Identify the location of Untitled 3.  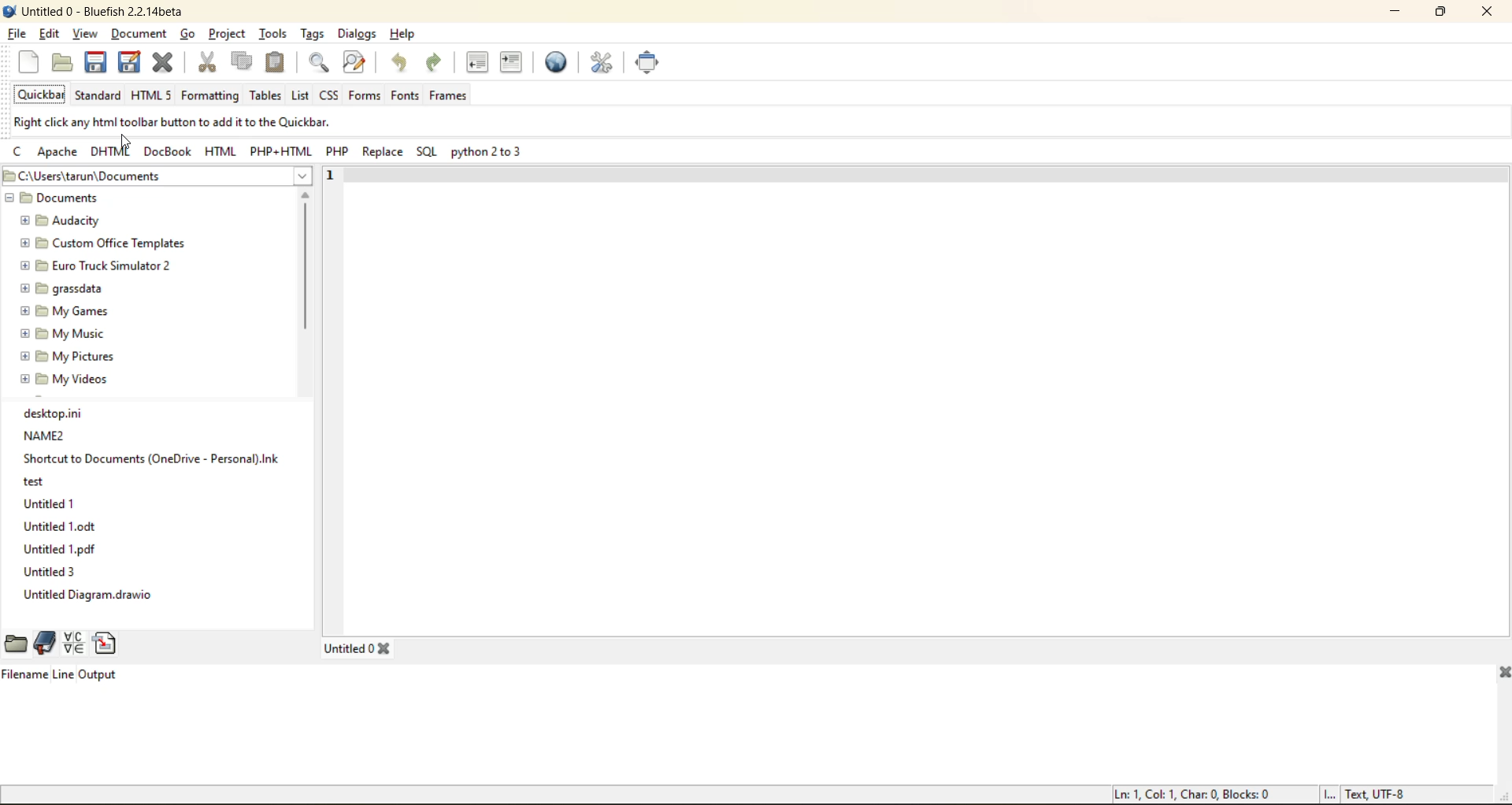
(51, 573).